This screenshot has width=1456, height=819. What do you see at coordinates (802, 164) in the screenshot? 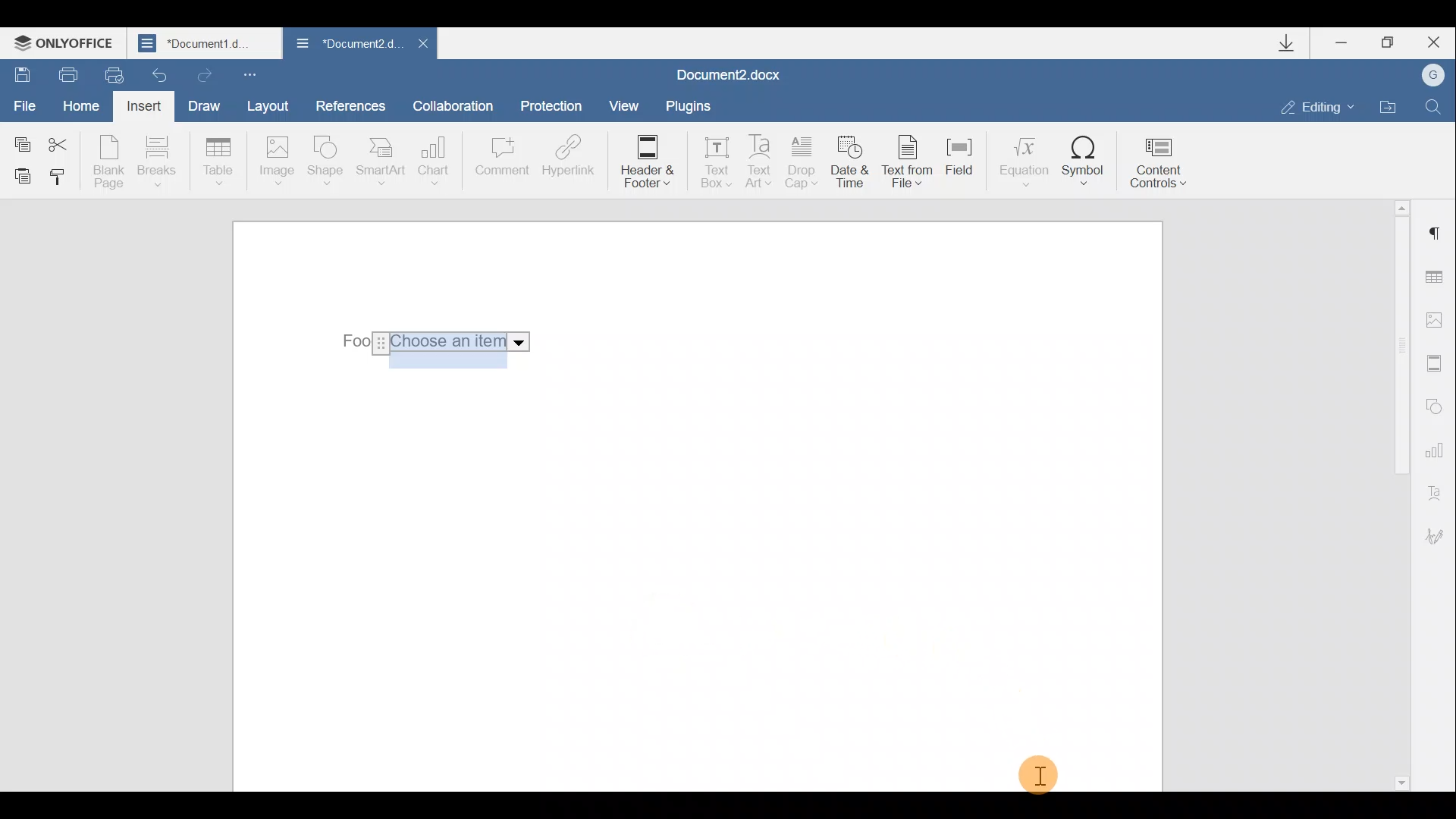
I see `Drop cap` at bounding box center [802, 164].